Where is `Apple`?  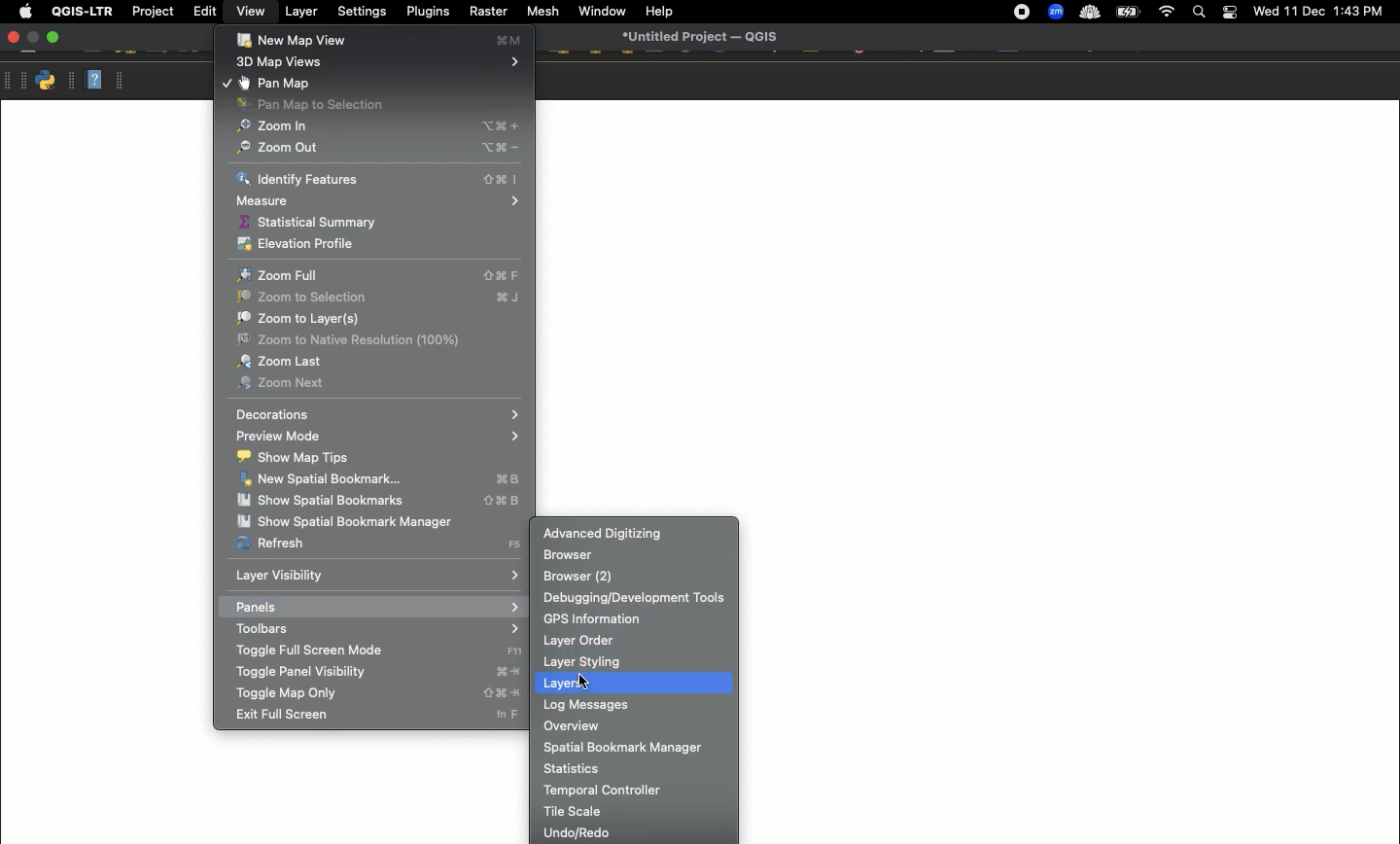 Apple is located at coordinates (22, 12).